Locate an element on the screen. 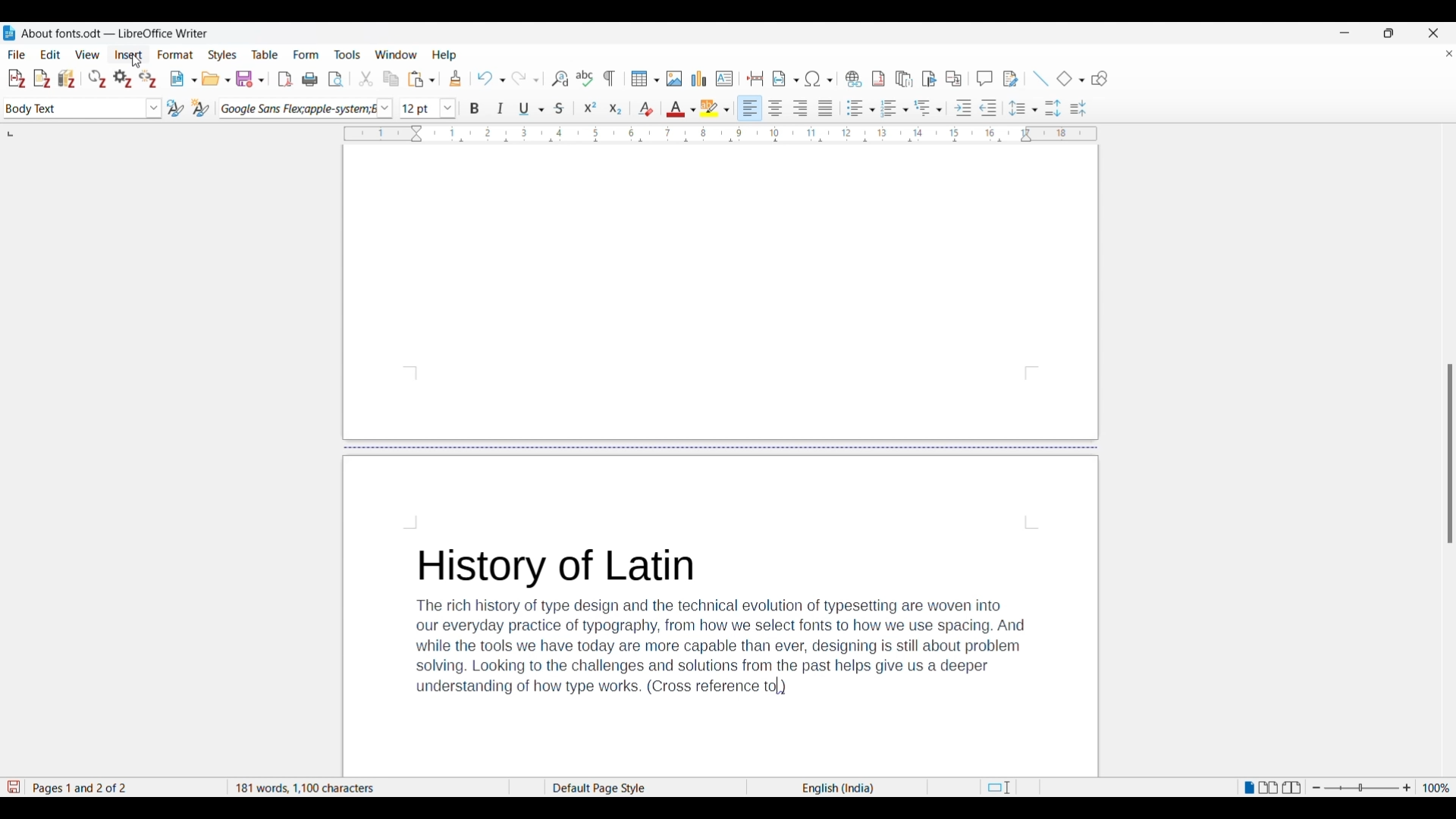  Form menu is located at coordinates (306, 55).